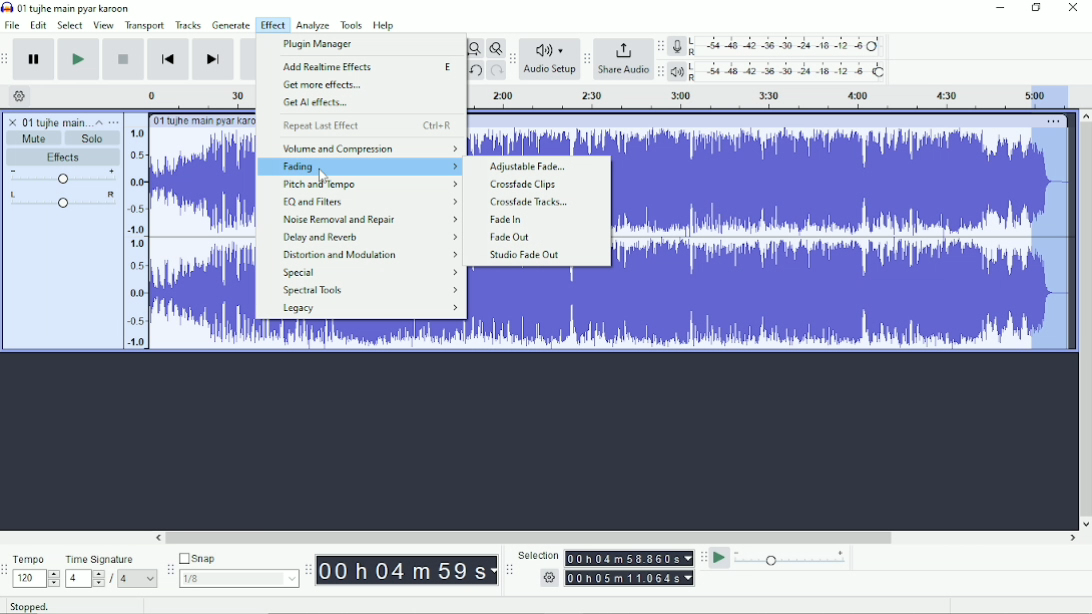  I want to click on 01 tujhe main pyar karoon, so click(56, 121).